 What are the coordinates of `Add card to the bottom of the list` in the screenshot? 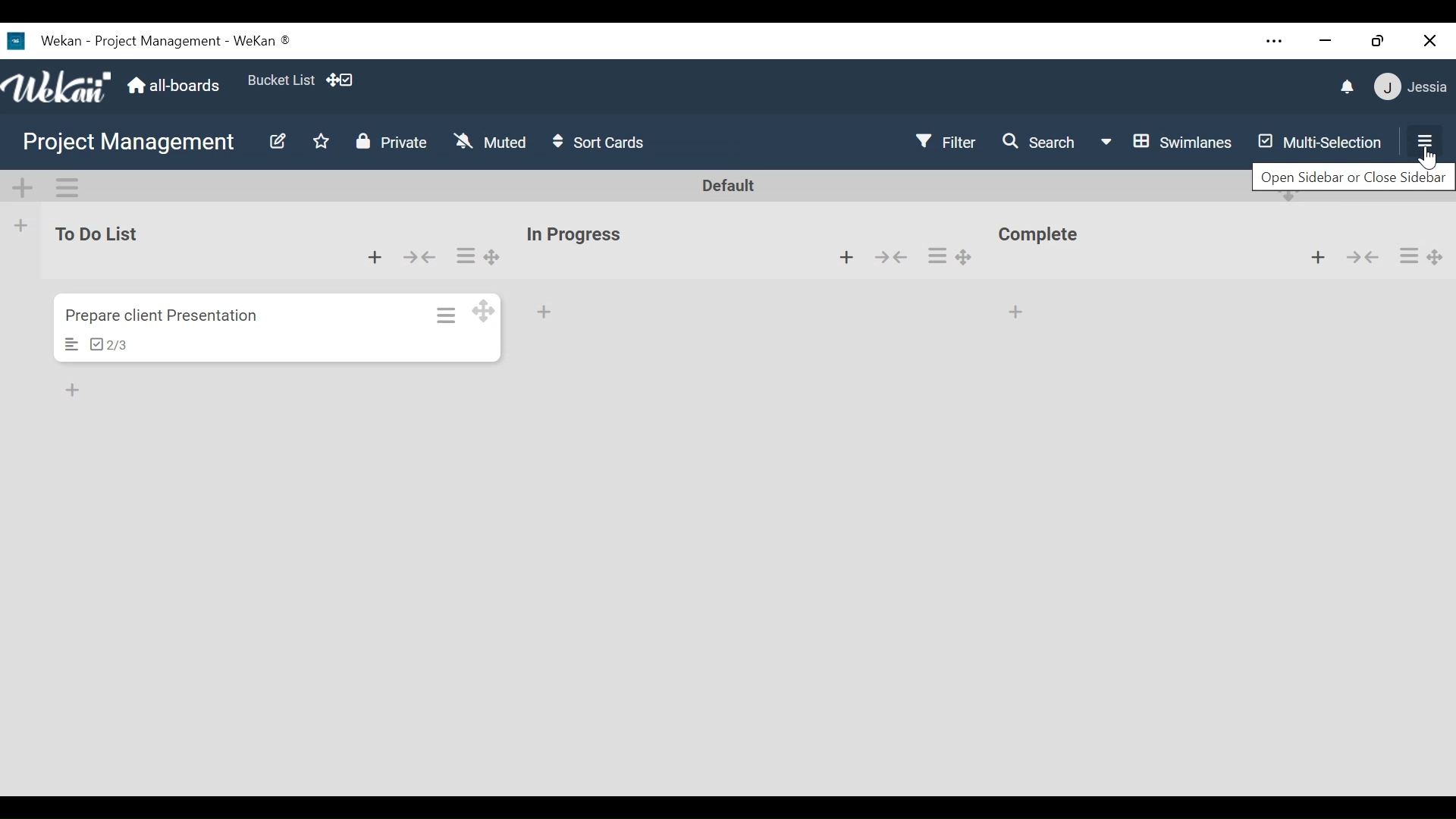 It's located at (847, 257).